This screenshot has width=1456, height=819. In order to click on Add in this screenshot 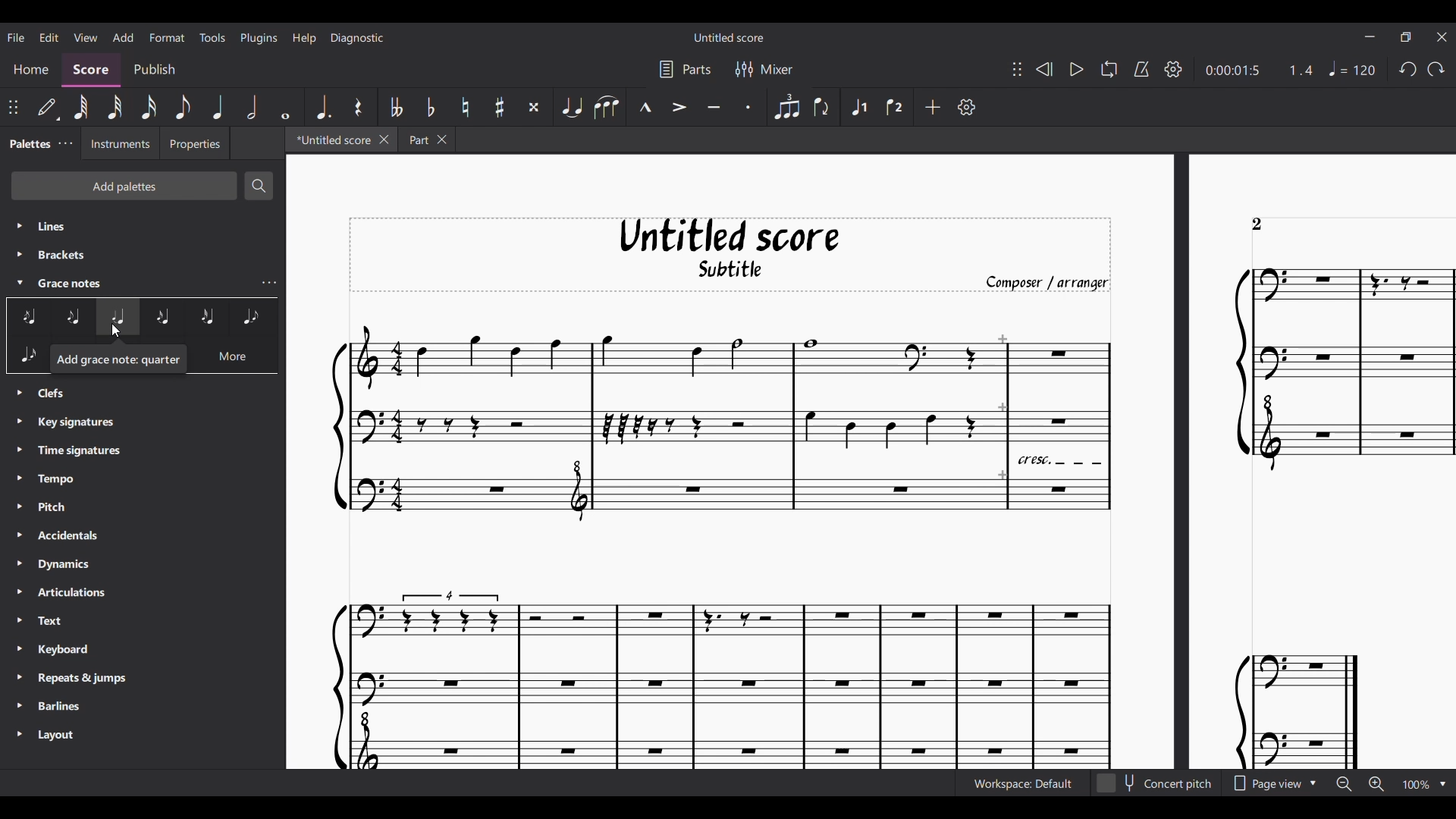, I will do `click(932, 107)`.